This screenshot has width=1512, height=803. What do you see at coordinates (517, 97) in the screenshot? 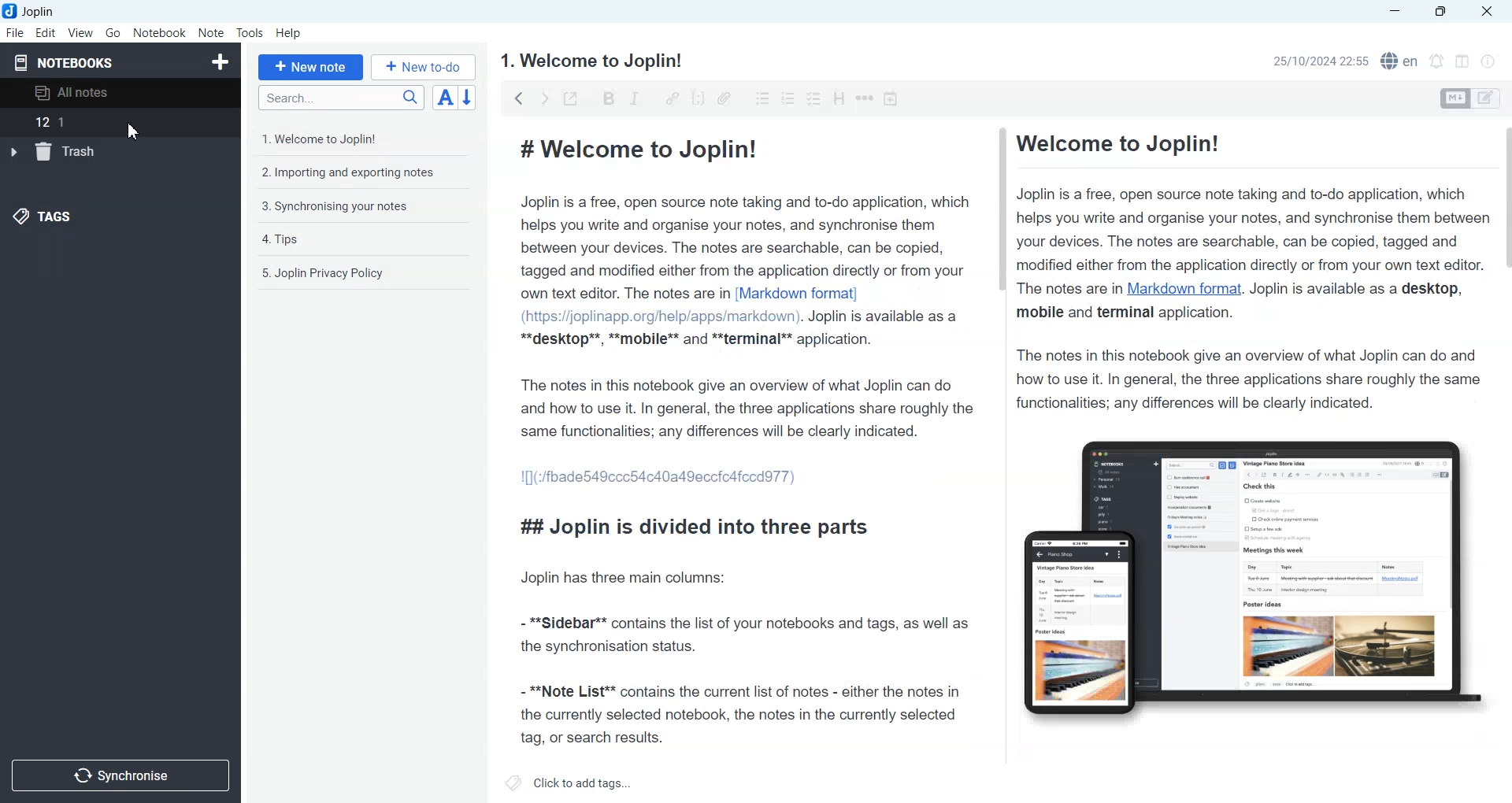
I see `backward` at bounding box center [517, 97].